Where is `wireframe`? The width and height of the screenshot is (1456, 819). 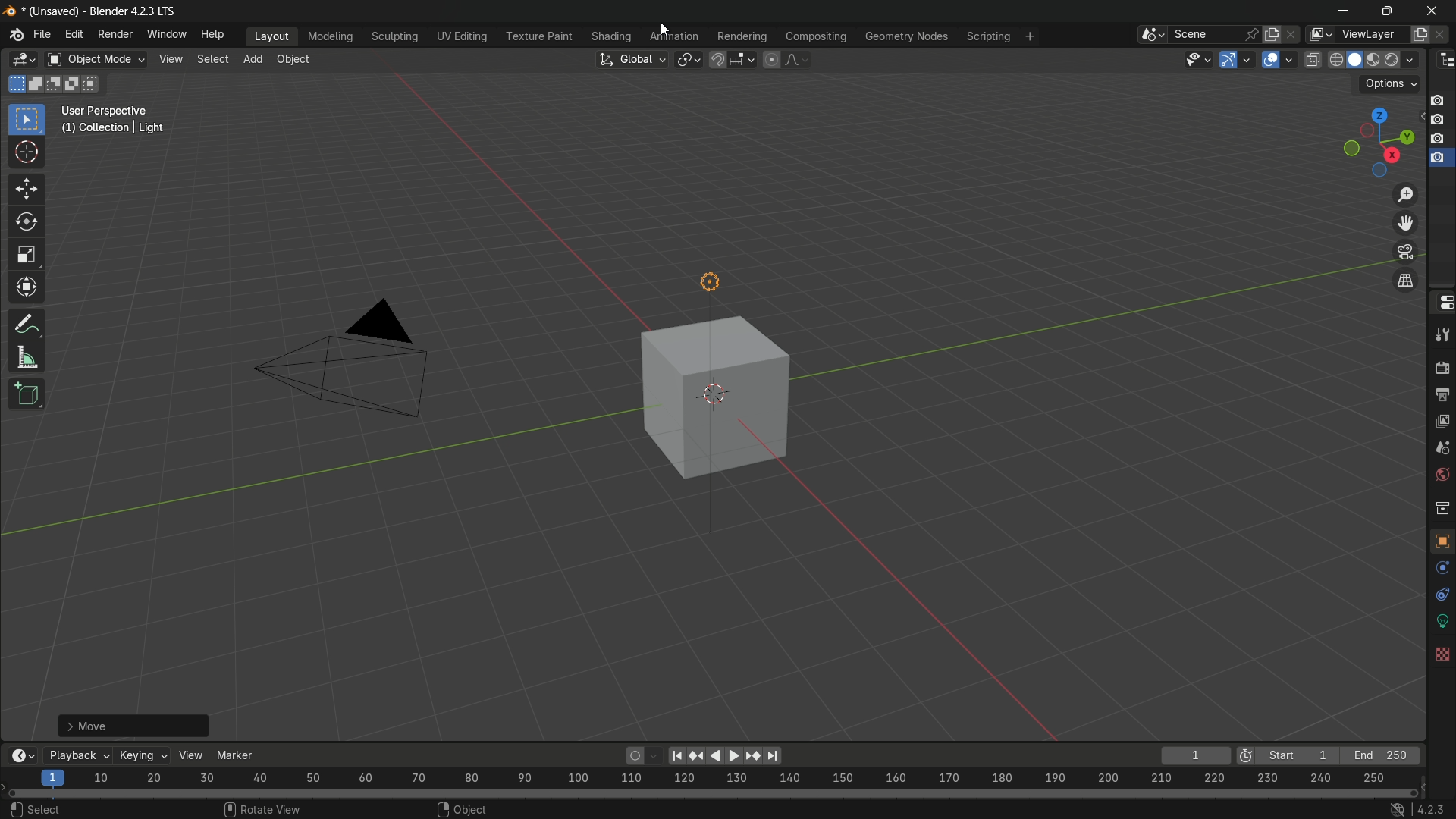
wireframe is located at coordinates (1335, 61).